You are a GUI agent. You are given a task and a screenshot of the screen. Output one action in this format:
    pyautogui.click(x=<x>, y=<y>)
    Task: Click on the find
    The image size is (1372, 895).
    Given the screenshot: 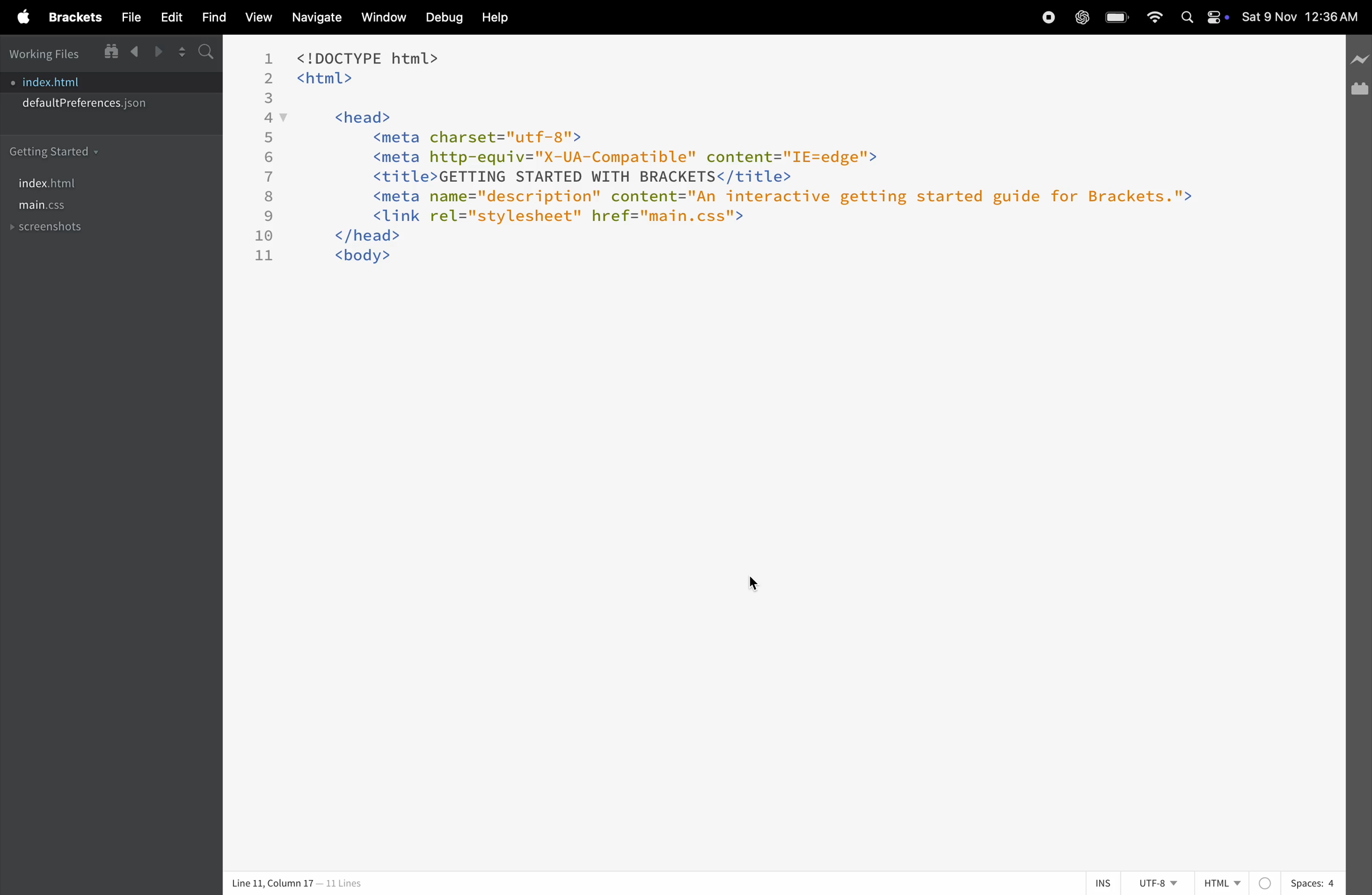 What is the action you would take?
    pyautogui.click(x=213, y=18)
    